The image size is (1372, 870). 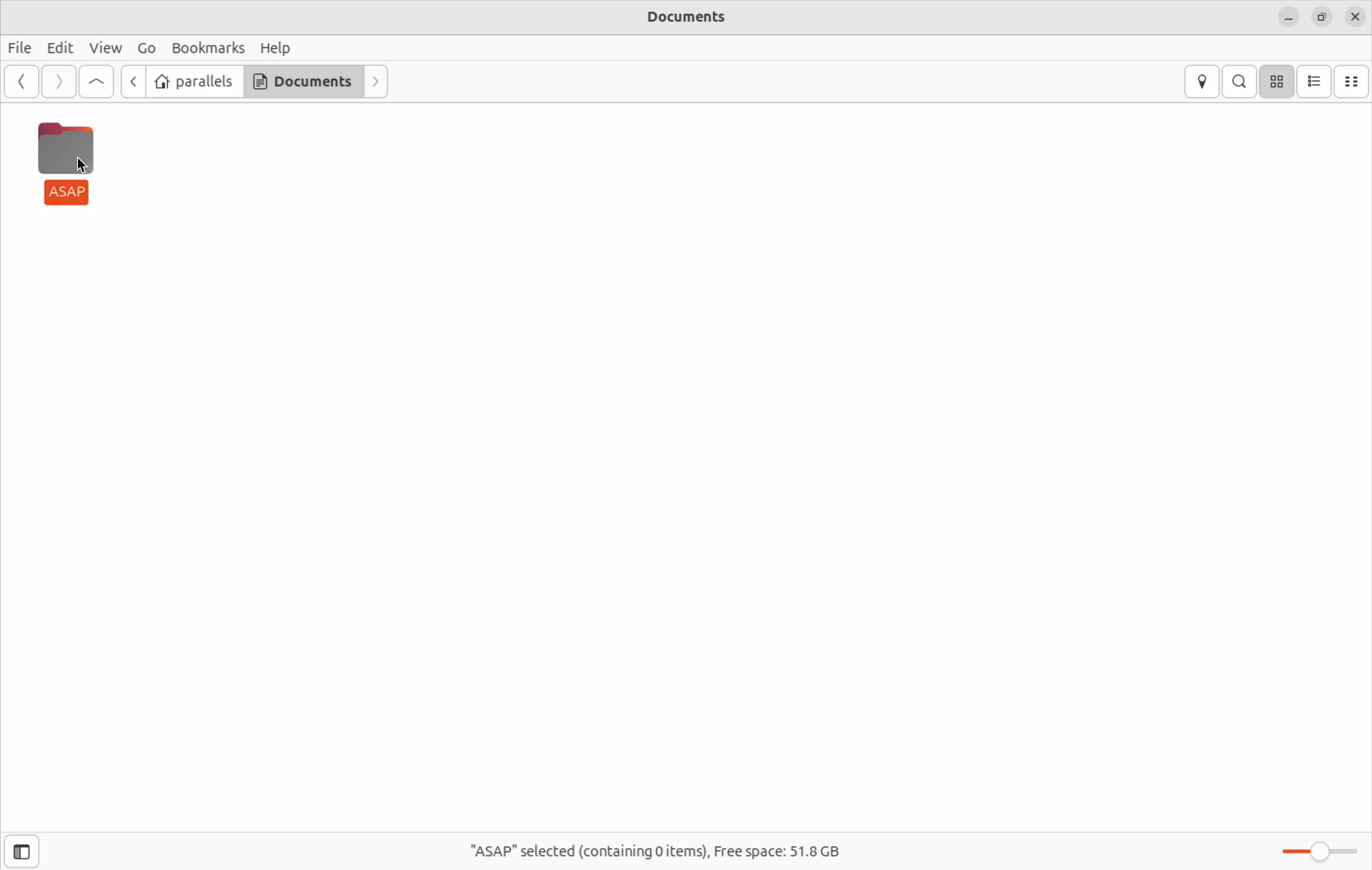 I want to click on back, so click(x=132, y=81).